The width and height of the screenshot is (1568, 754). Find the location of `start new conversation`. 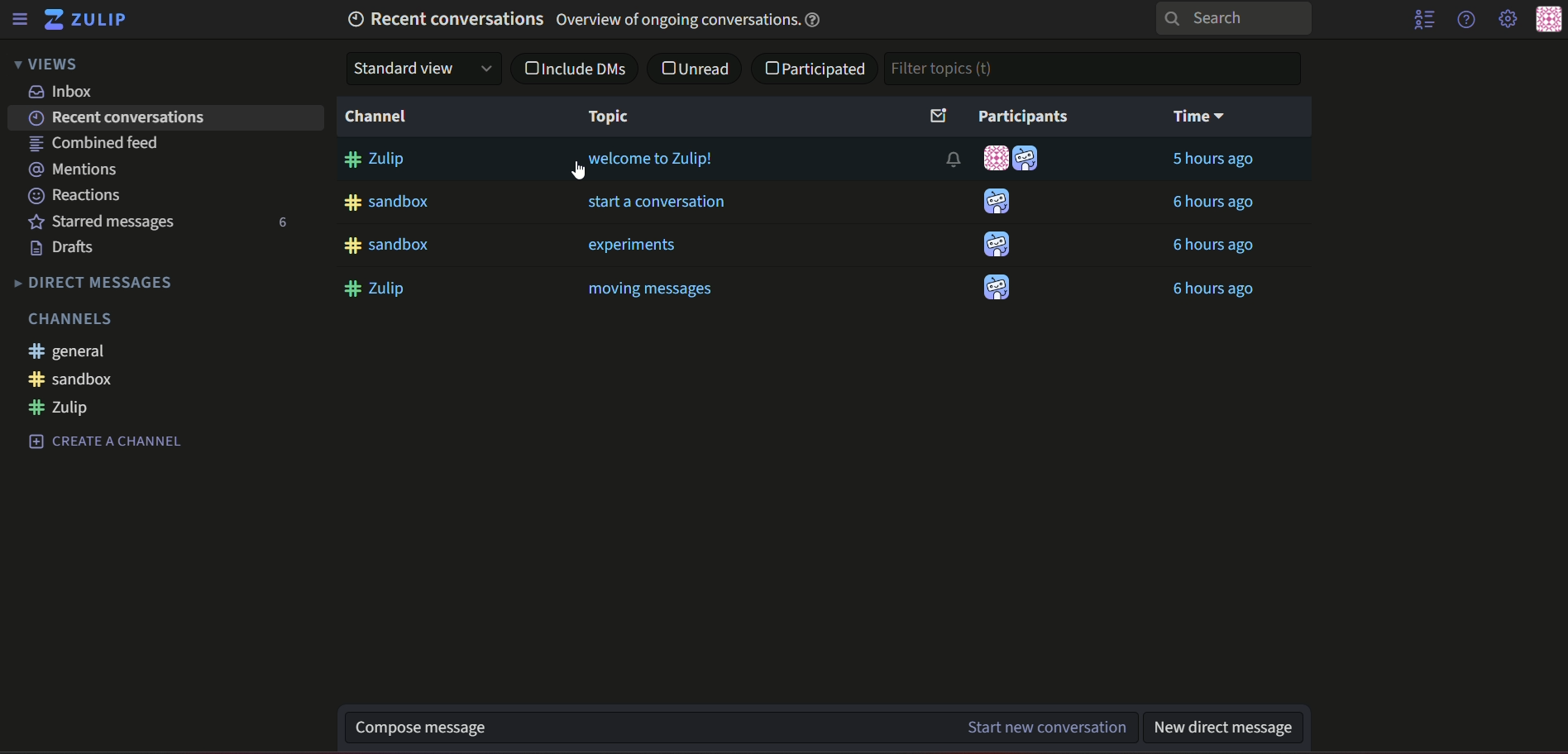

start new conversation is located at coordinates (1035, 728).